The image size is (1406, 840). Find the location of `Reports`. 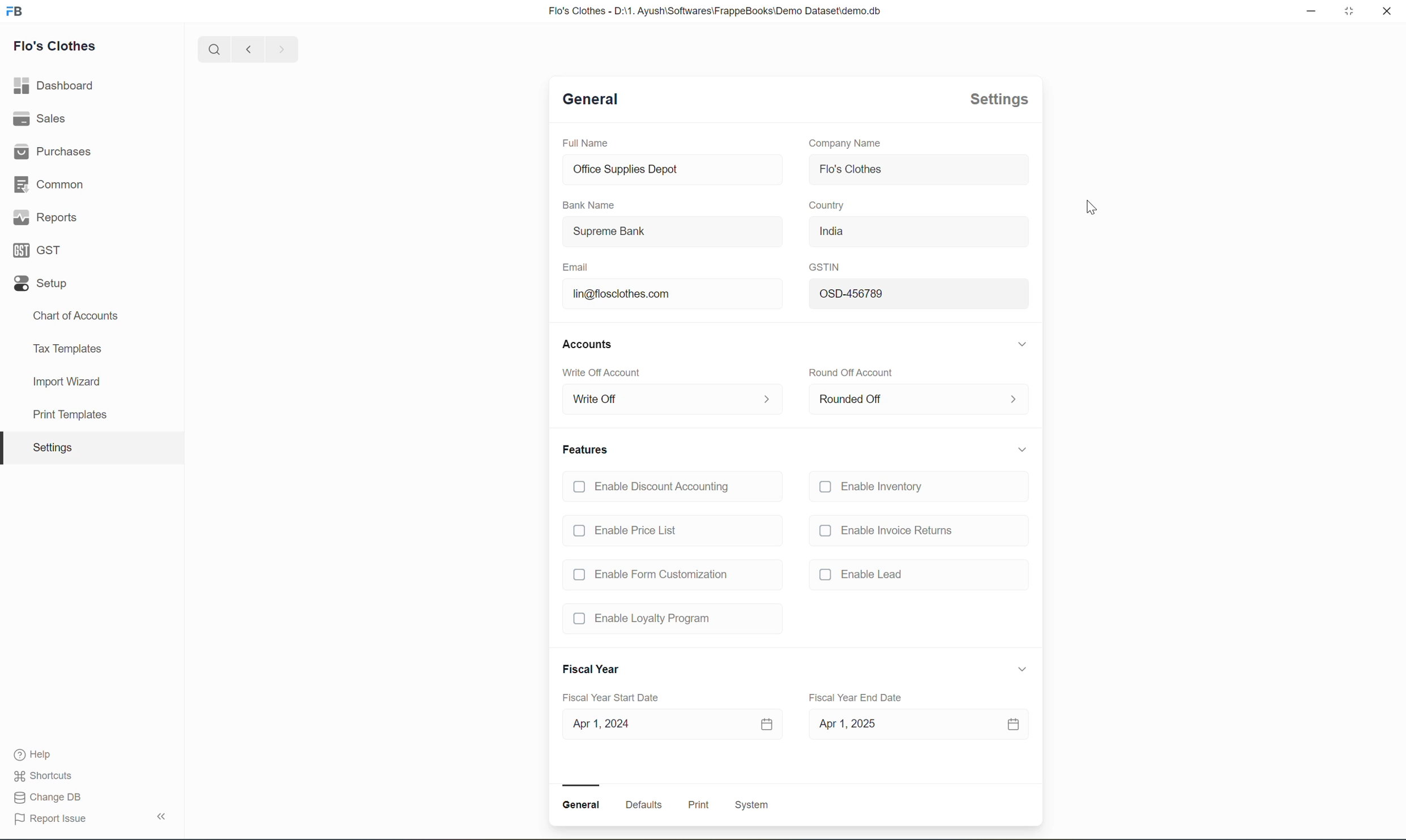

Reports is located at coordinates (45, 220).